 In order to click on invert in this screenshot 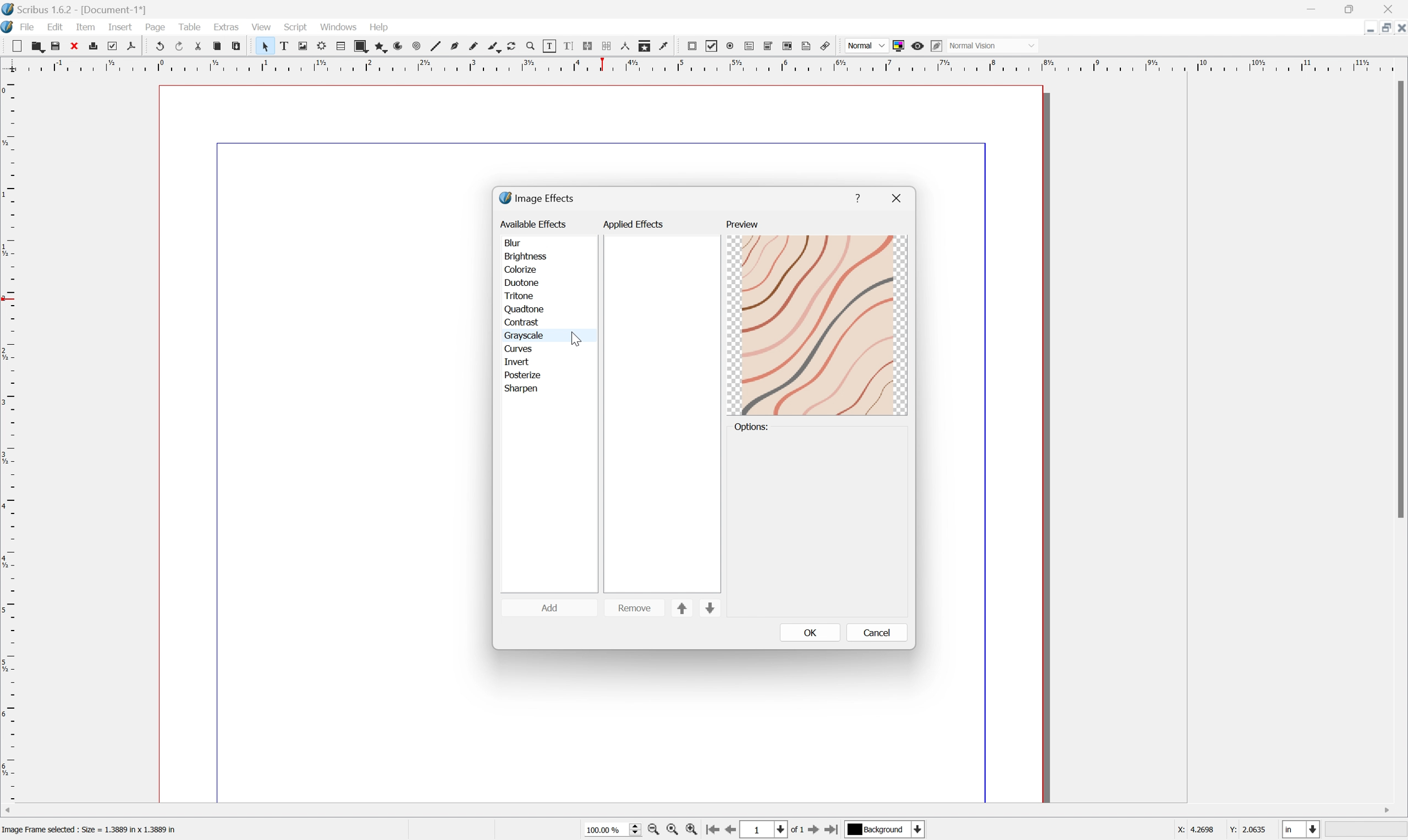, I will do `click(517, 362)`.